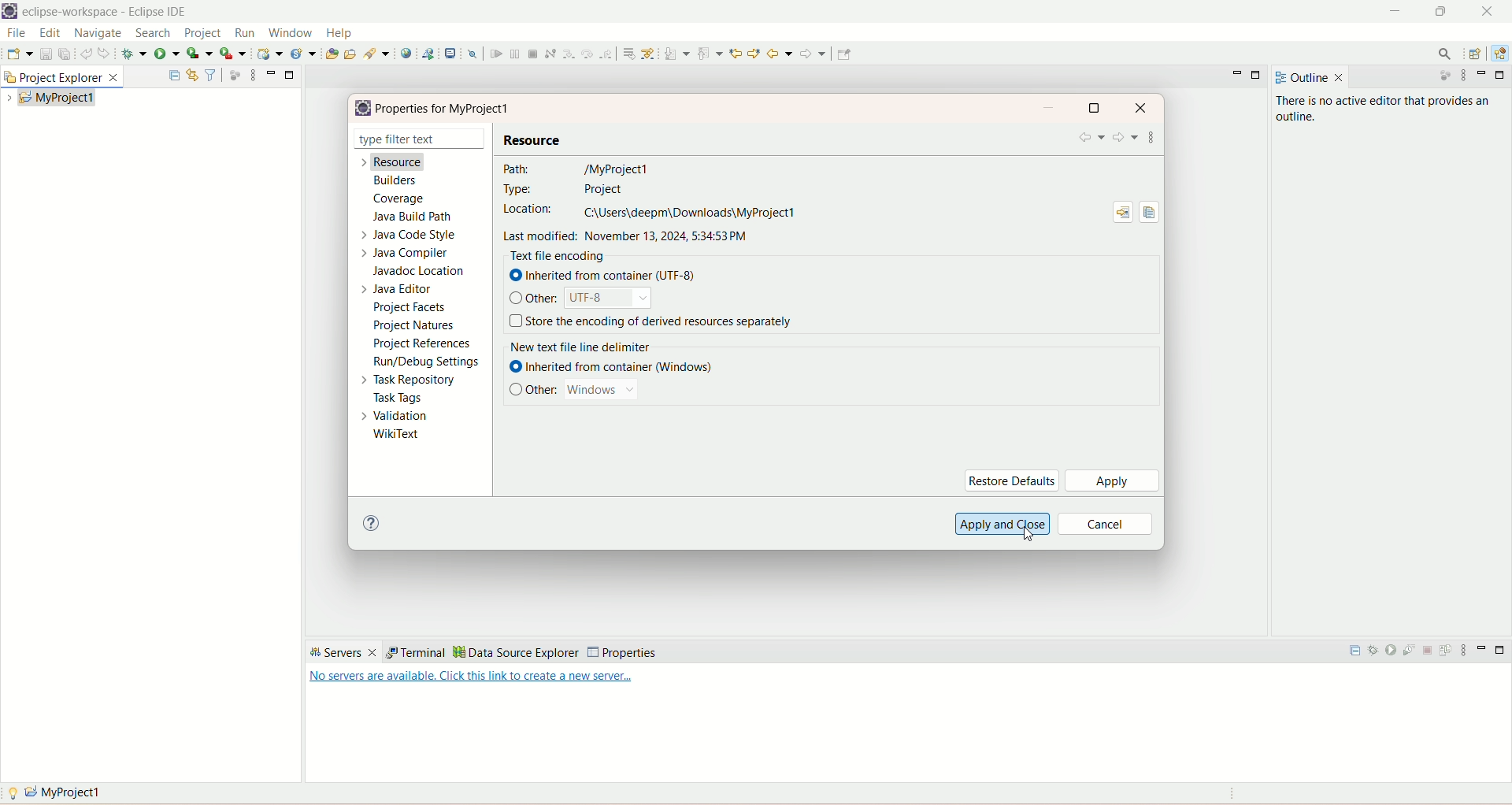 Image resolution: width=1512 pixels, height=805 pixels. I want to click on cursor, so click(1027, 536).